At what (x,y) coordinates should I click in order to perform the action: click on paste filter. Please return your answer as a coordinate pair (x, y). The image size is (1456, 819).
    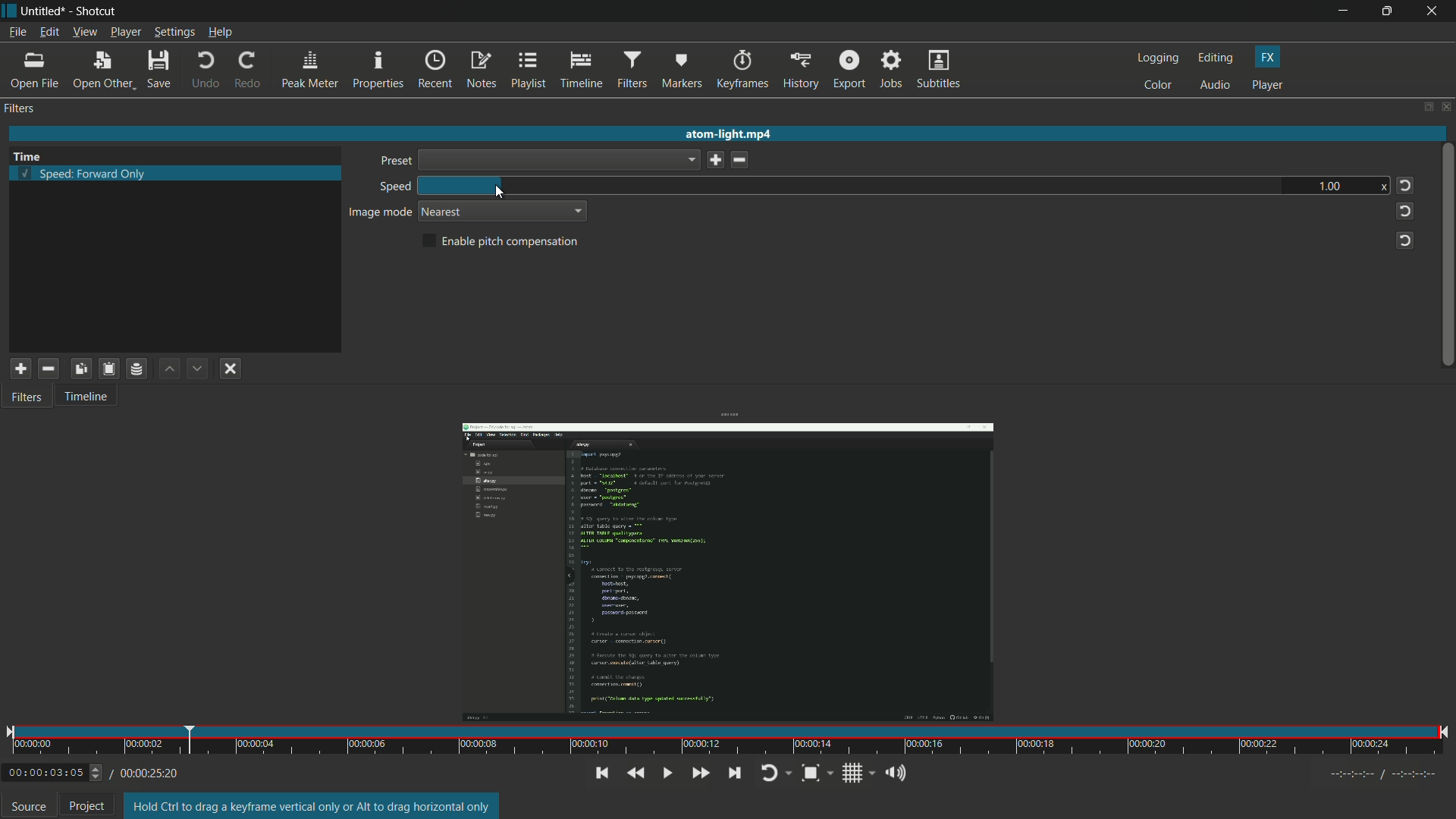
    Looking at the image, I should click on (108, 368).